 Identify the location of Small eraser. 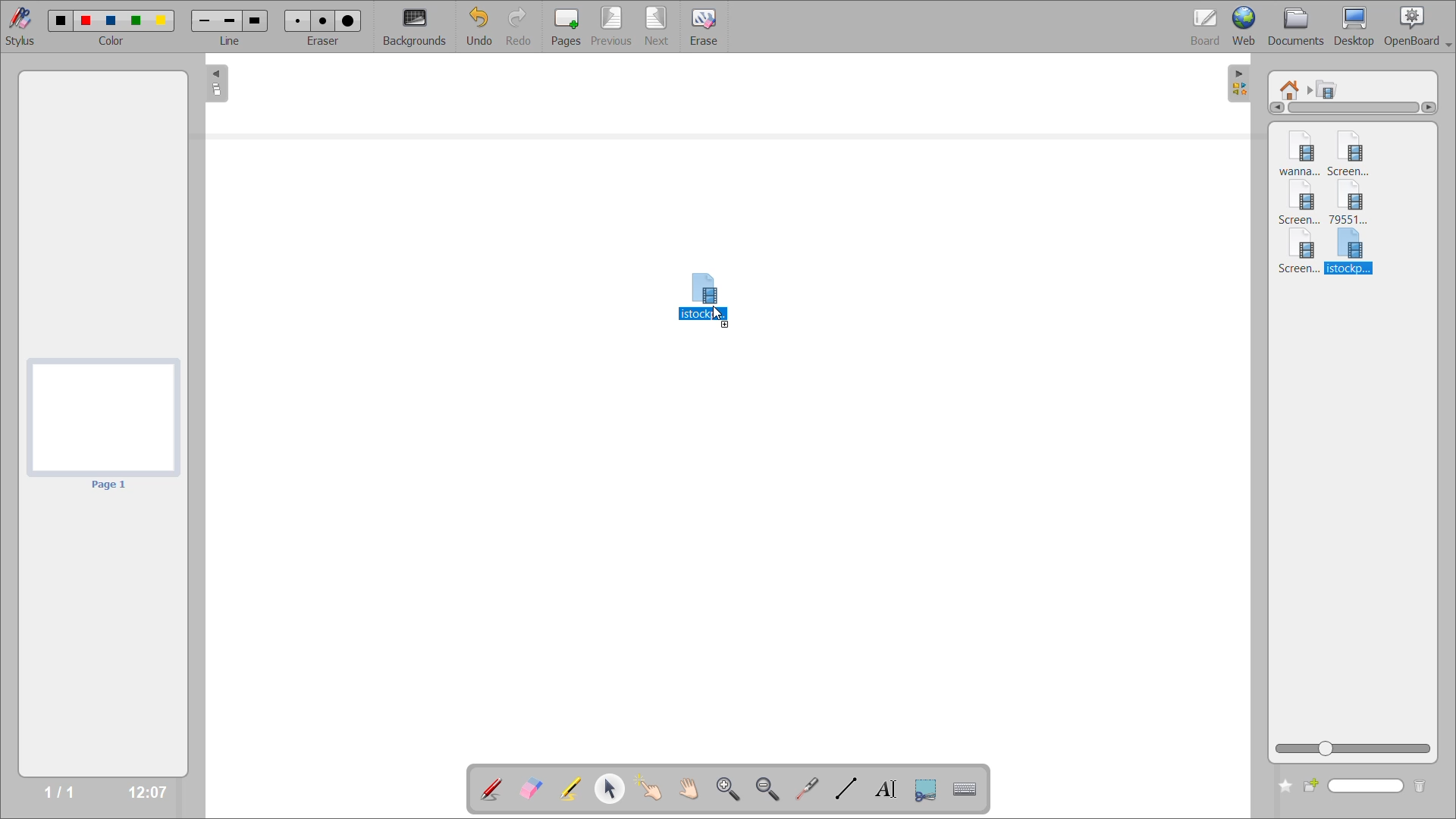
(296, 20).